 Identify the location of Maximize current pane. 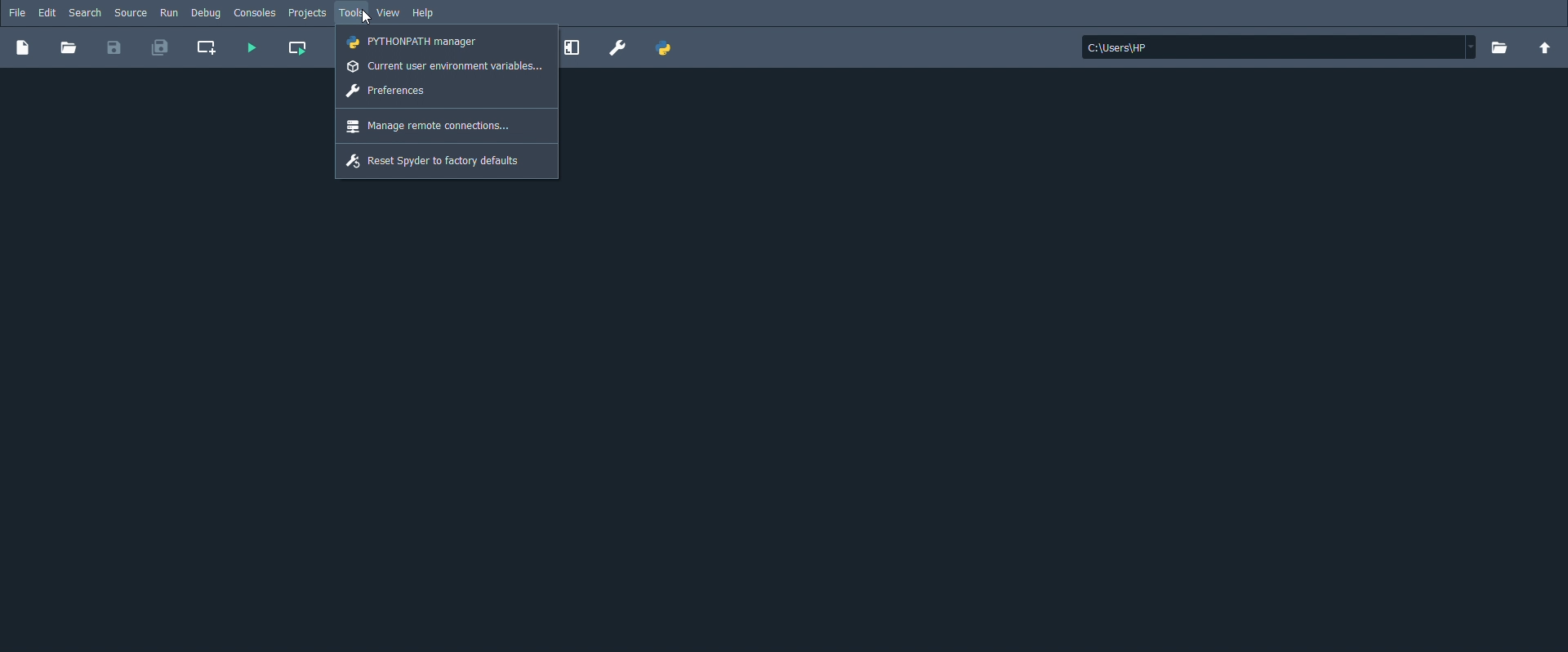
(576, 48).